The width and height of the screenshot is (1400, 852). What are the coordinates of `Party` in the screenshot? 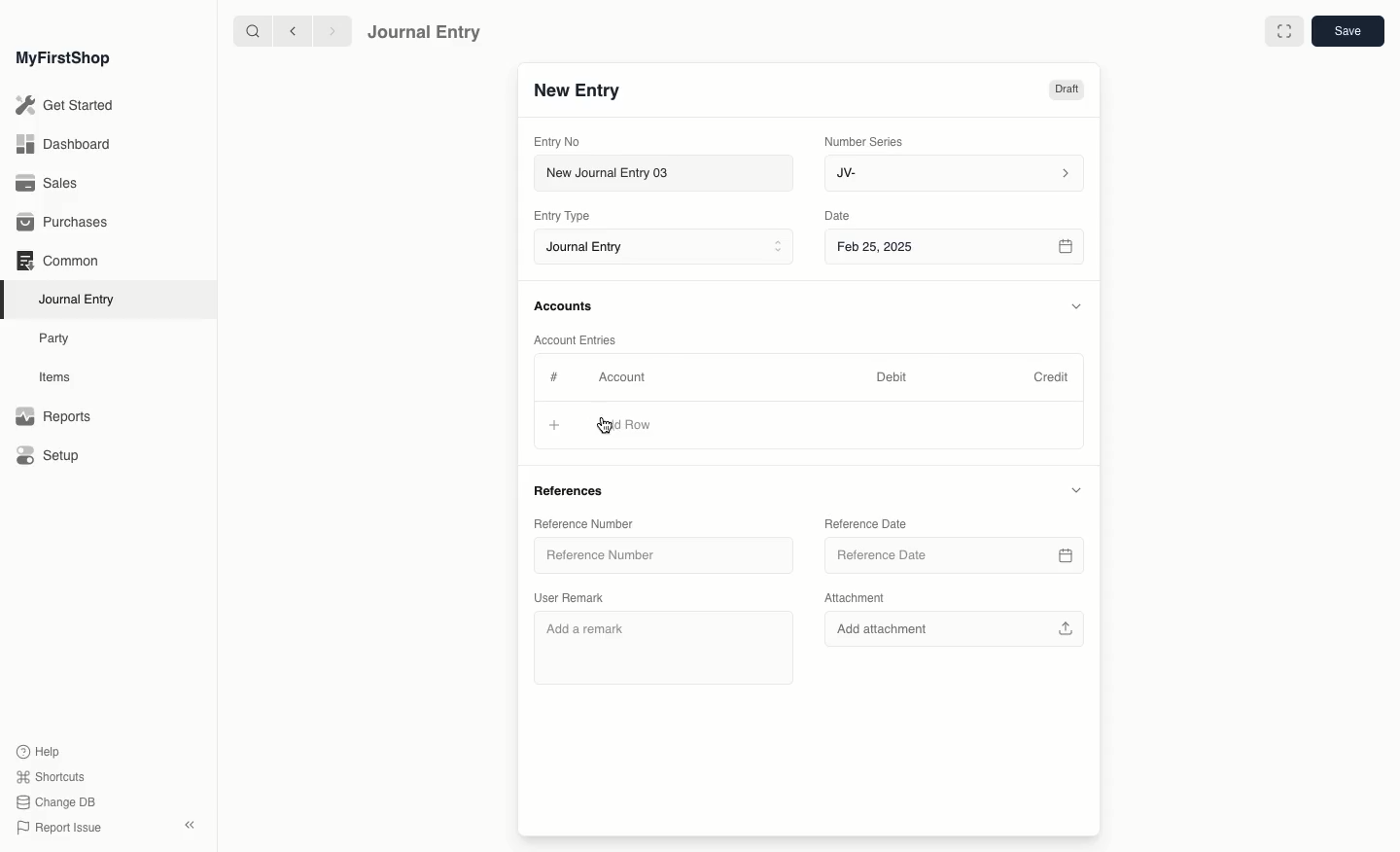 It's located at (55, 337).